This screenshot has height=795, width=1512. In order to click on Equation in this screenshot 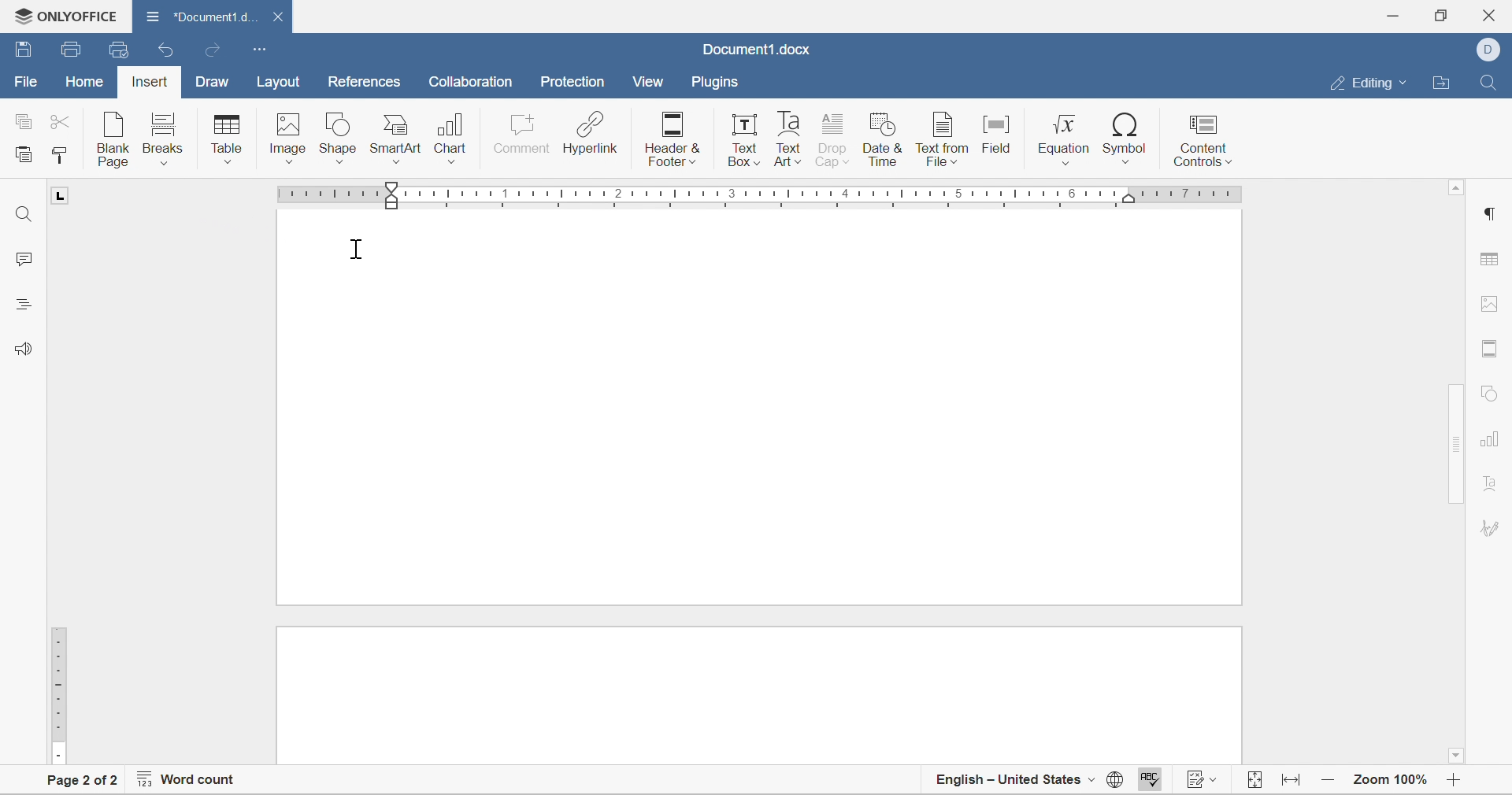, I will do `click(1065, 139)`.